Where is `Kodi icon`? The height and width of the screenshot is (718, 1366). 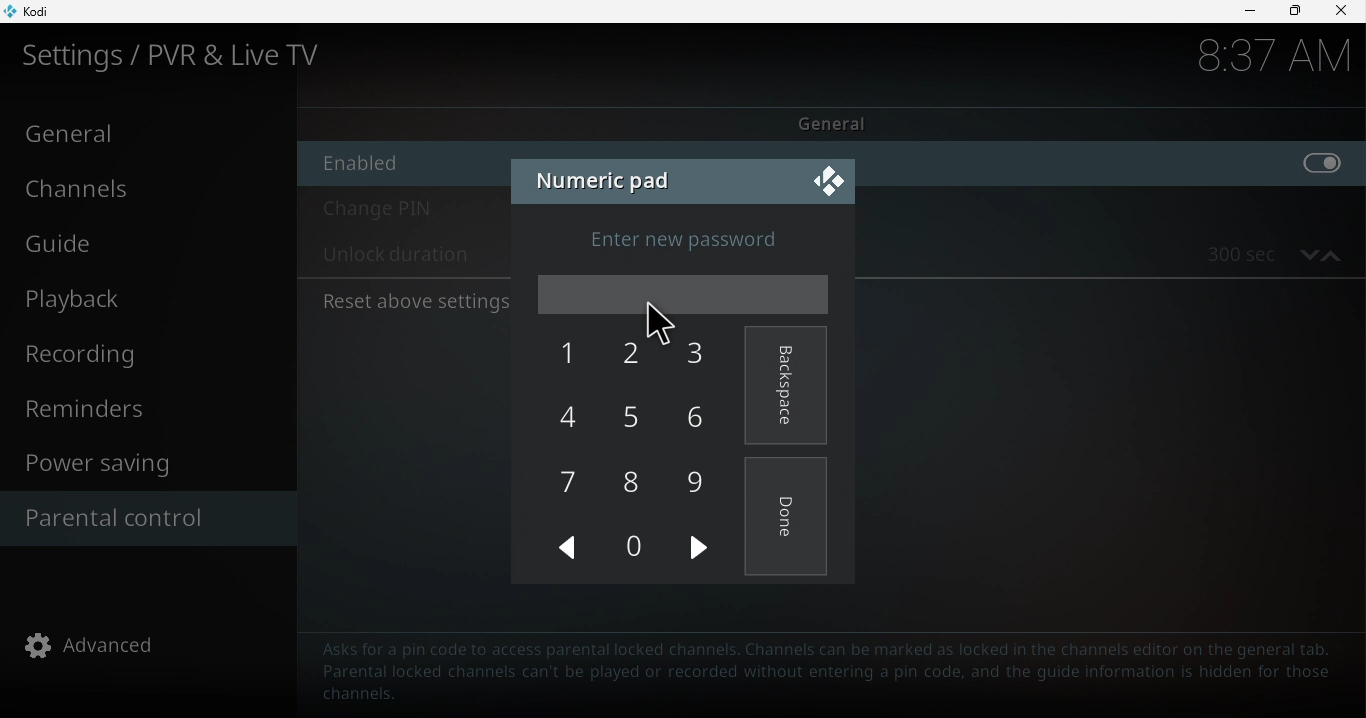
Kodi icon is located at coordinates (41, 10).